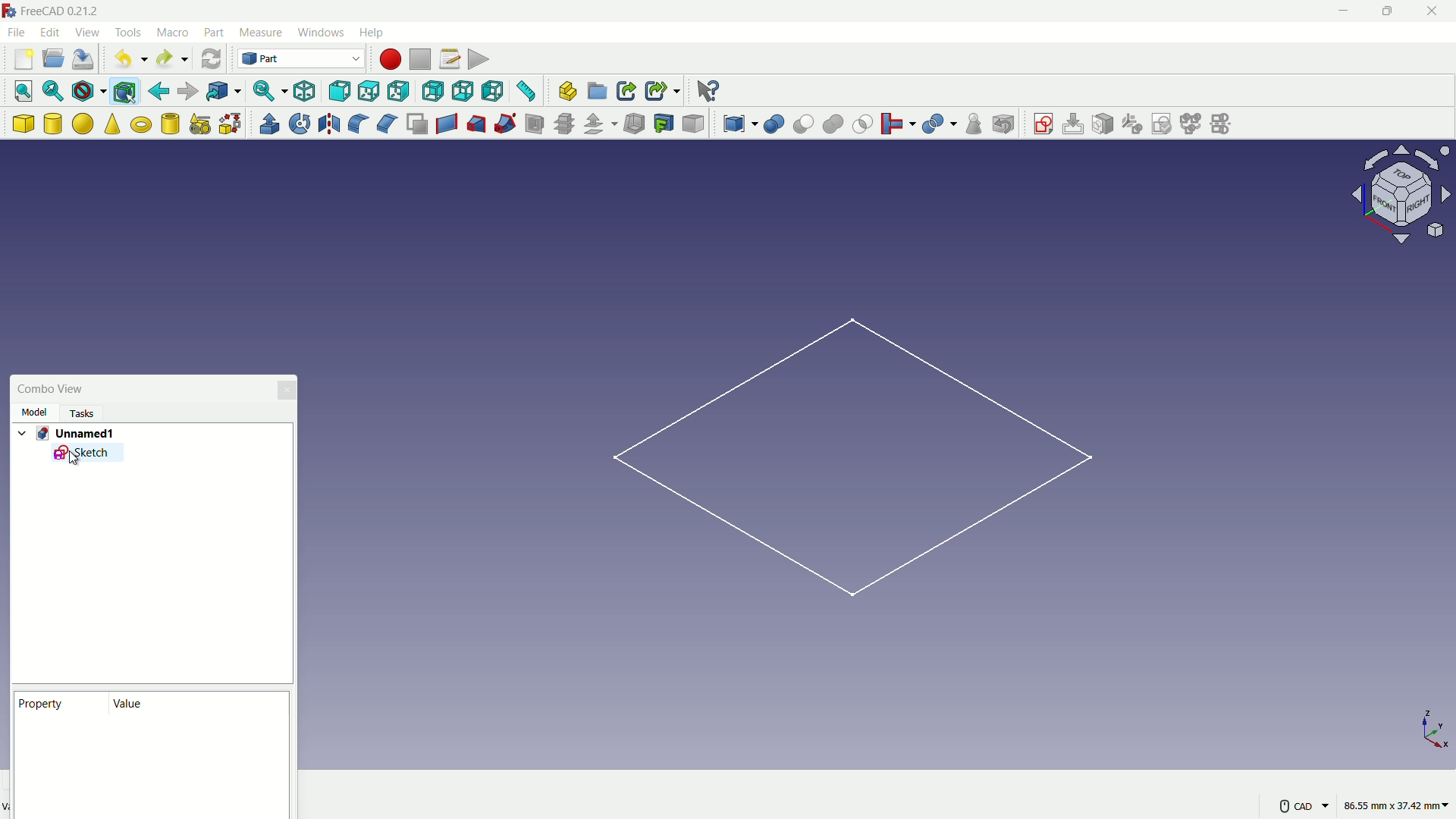 This screenshot has width=1456, height=819. I want to click on create part, so click(568, 90).